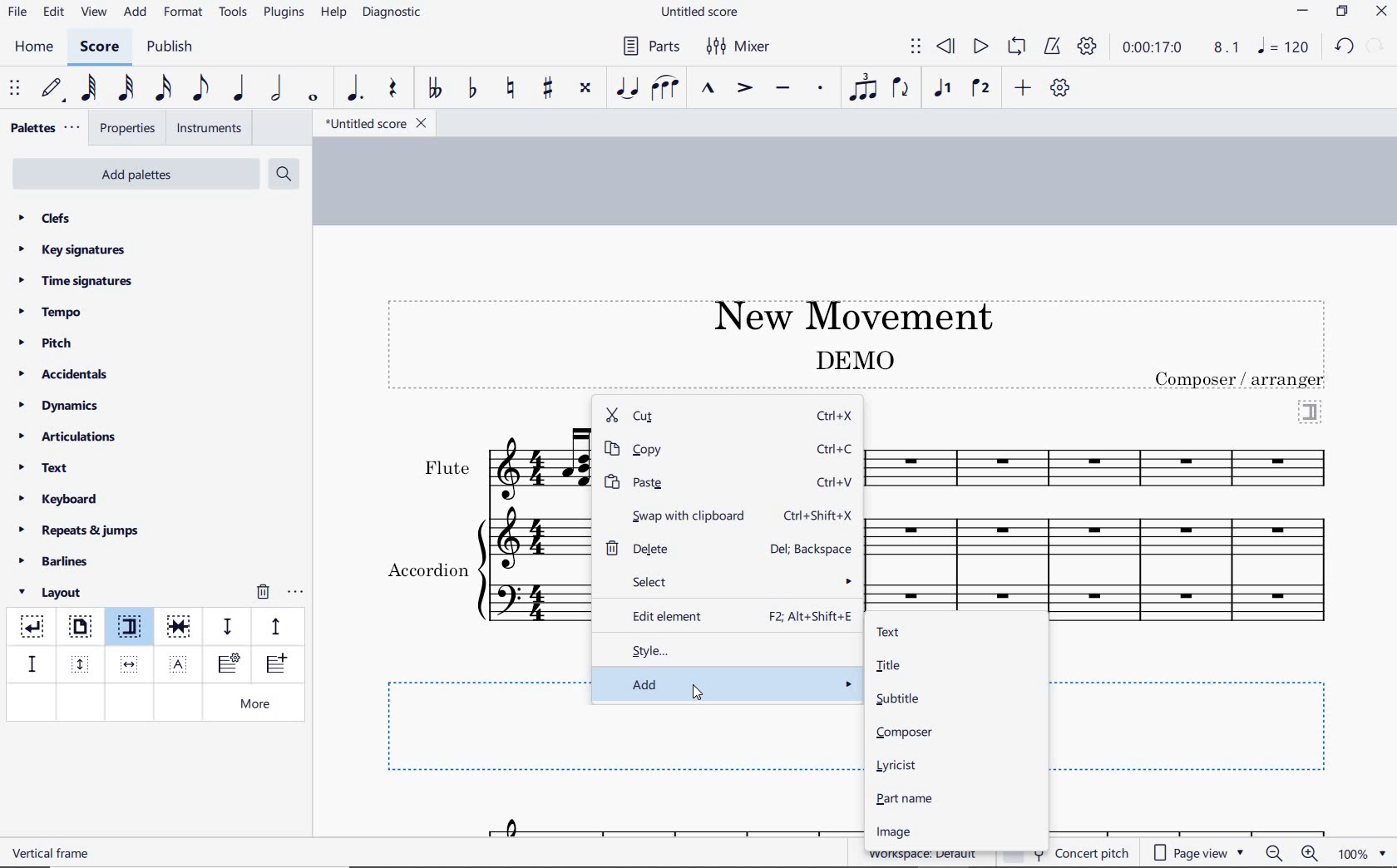  What do you see at coordinates (33, 47) in the screenshot?
I see `home` at bounding box center [33, 47].